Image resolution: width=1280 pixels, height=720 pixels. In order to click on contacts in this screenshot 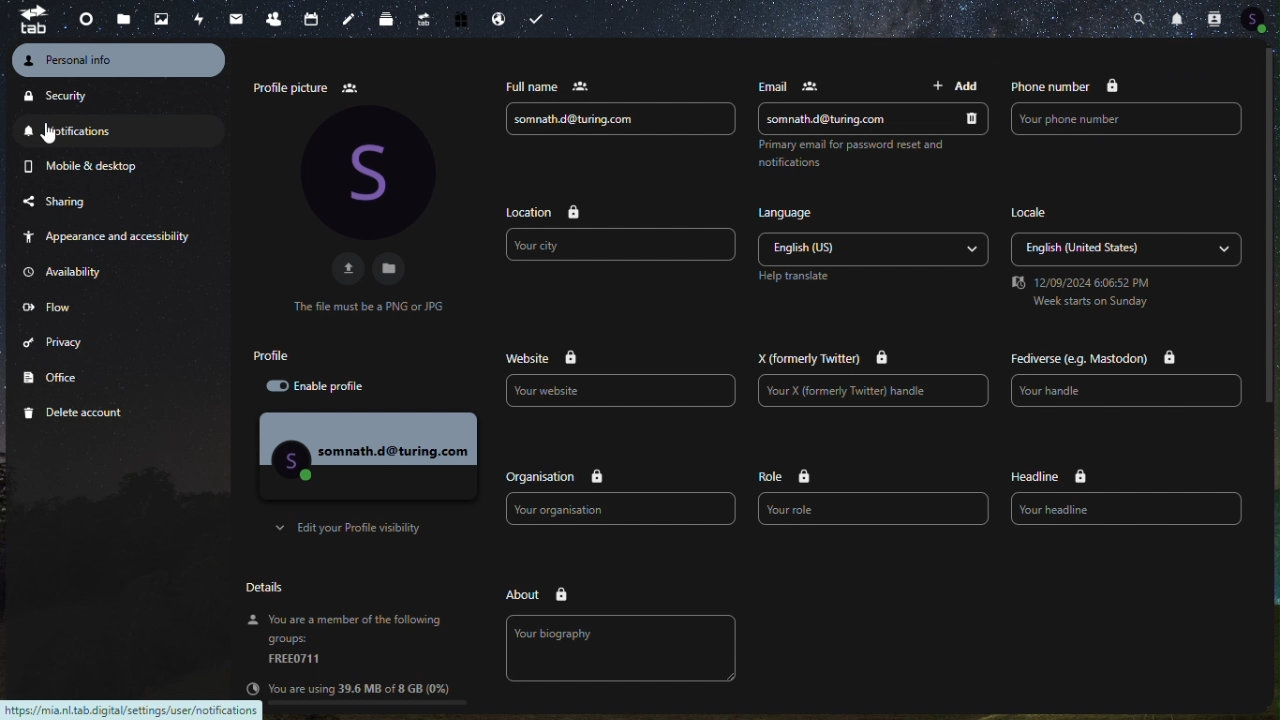, I will do `click(274, 17)`.